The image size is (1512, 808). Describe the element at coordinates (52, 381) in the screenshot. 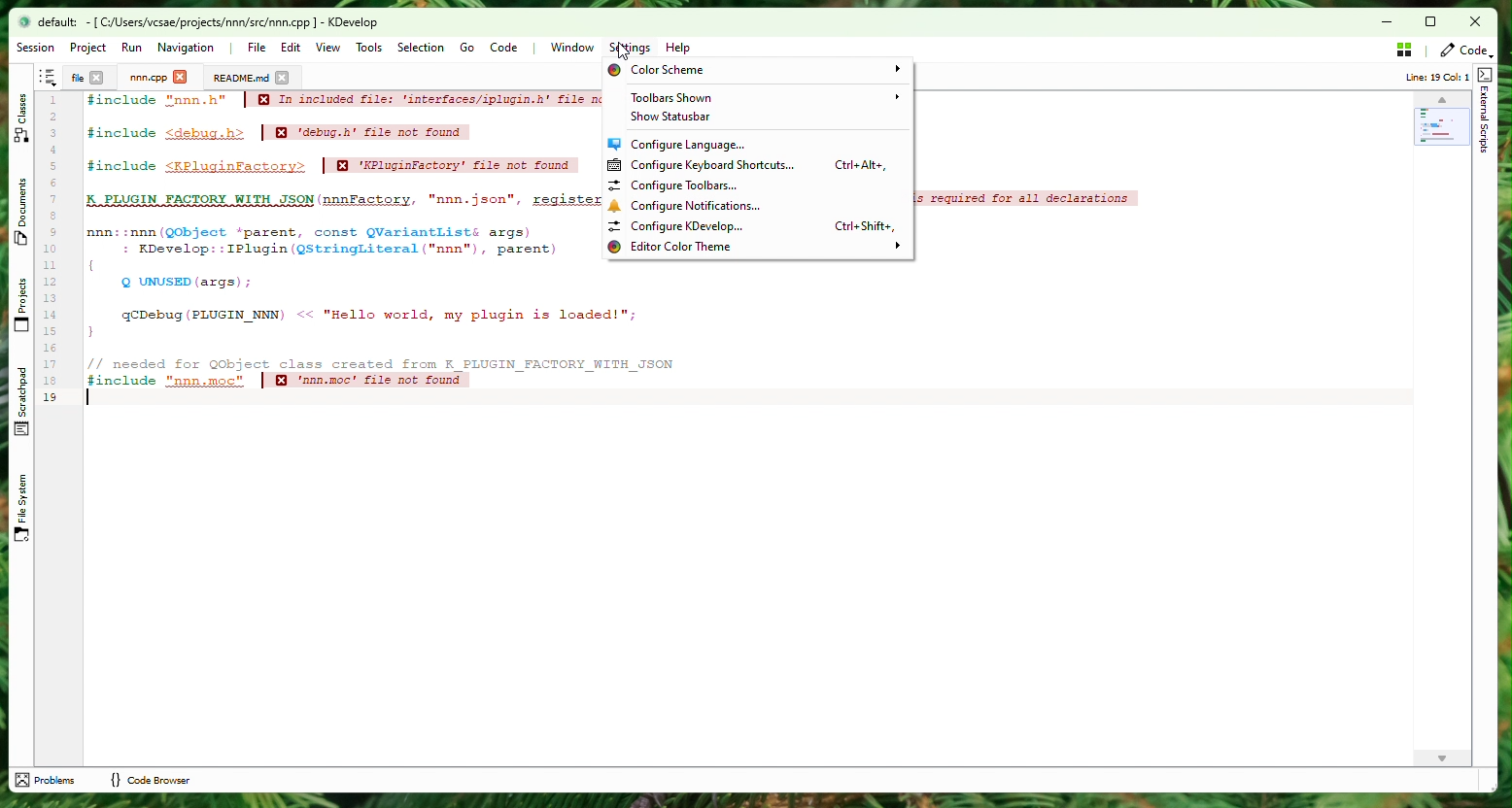

I see `18` at that location.